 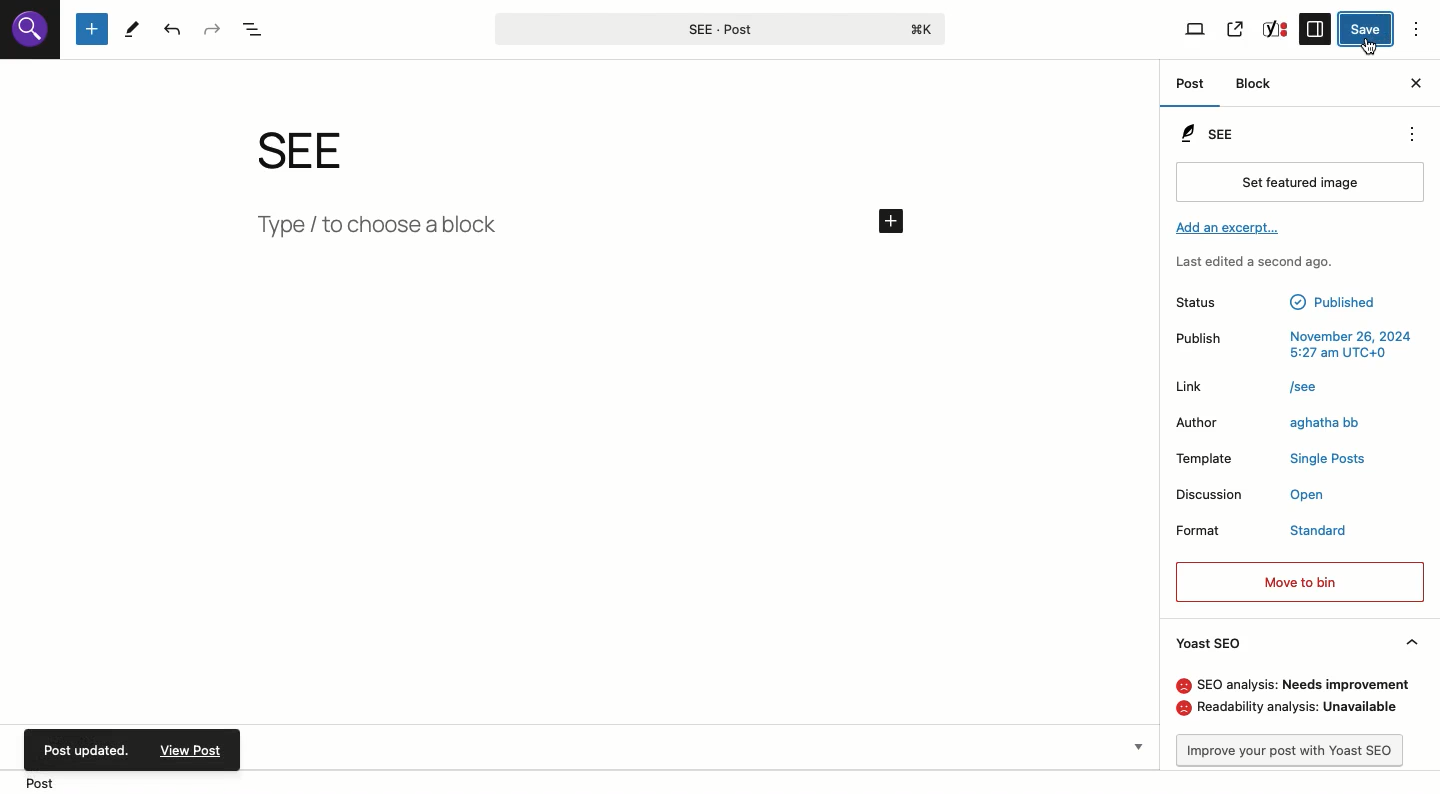 I want to click on Readability analysis: unavailable, so click(x=1294, y=710).